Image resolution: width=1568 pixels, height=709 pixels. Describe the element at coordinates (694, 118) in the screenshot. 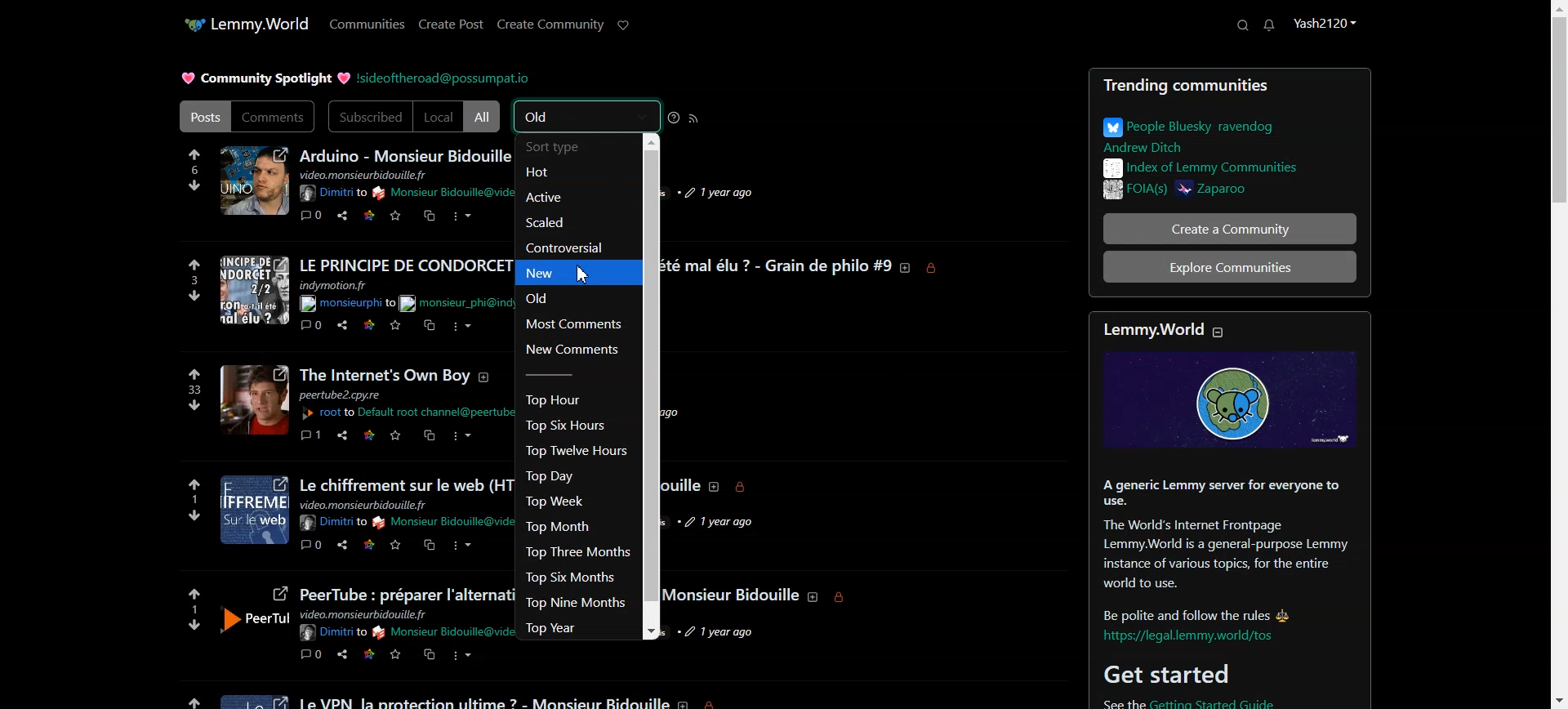

I see `RSS` at that location.